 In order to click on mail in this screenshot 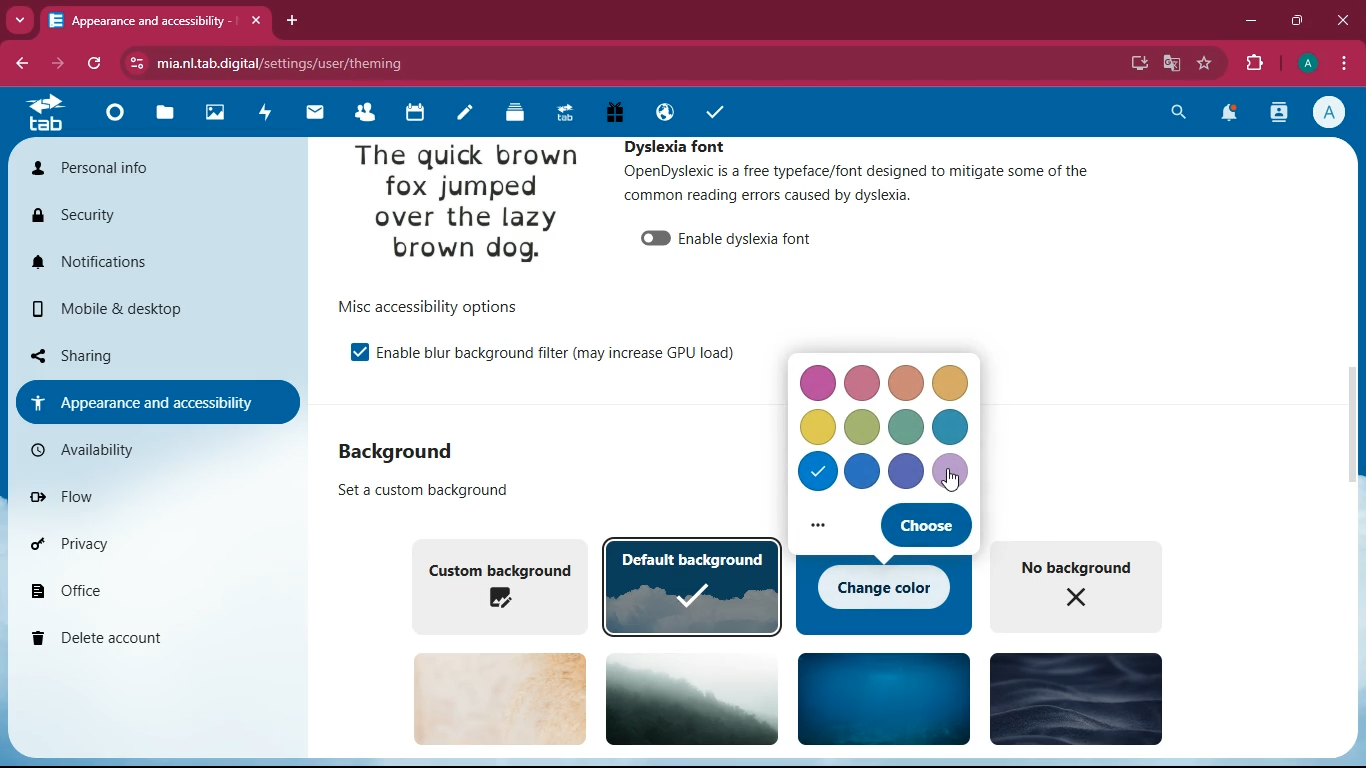, I will do `click(310, 113)`.